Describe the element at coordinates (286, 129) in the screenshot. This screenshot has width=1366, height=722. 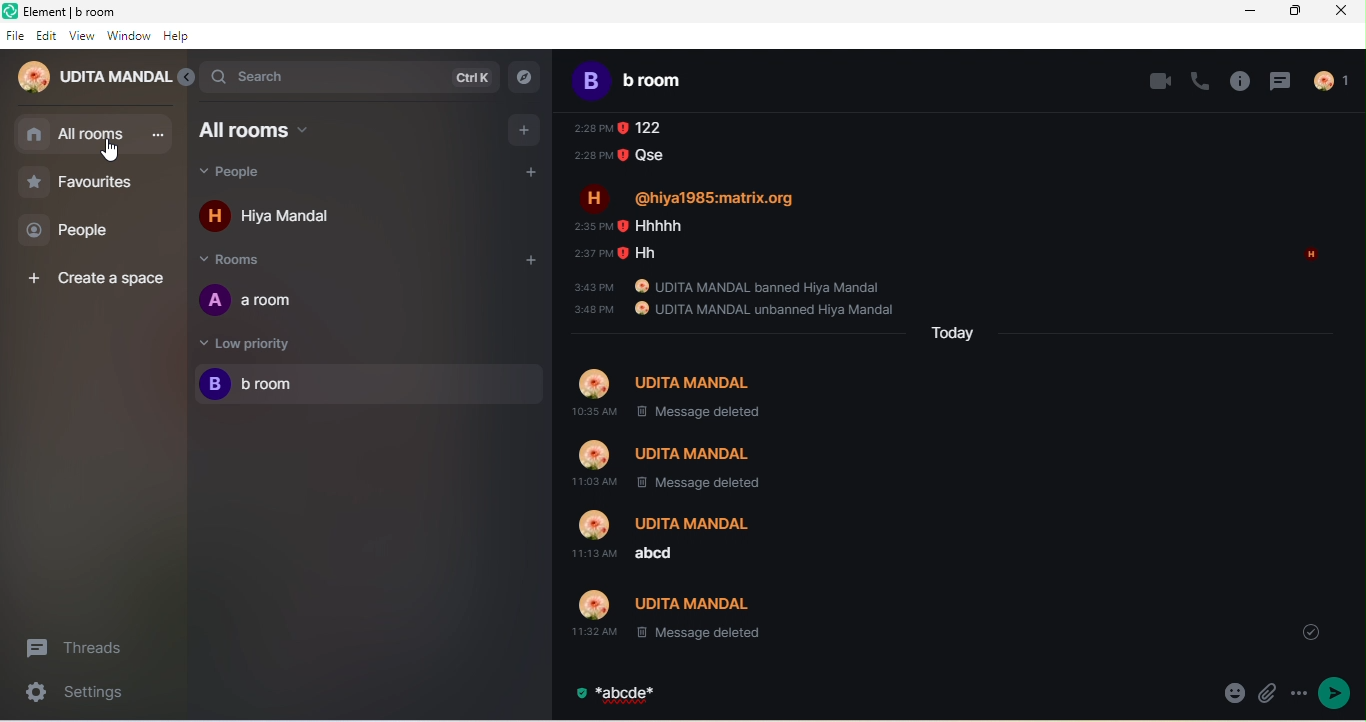
I see `all rooms` at that location.